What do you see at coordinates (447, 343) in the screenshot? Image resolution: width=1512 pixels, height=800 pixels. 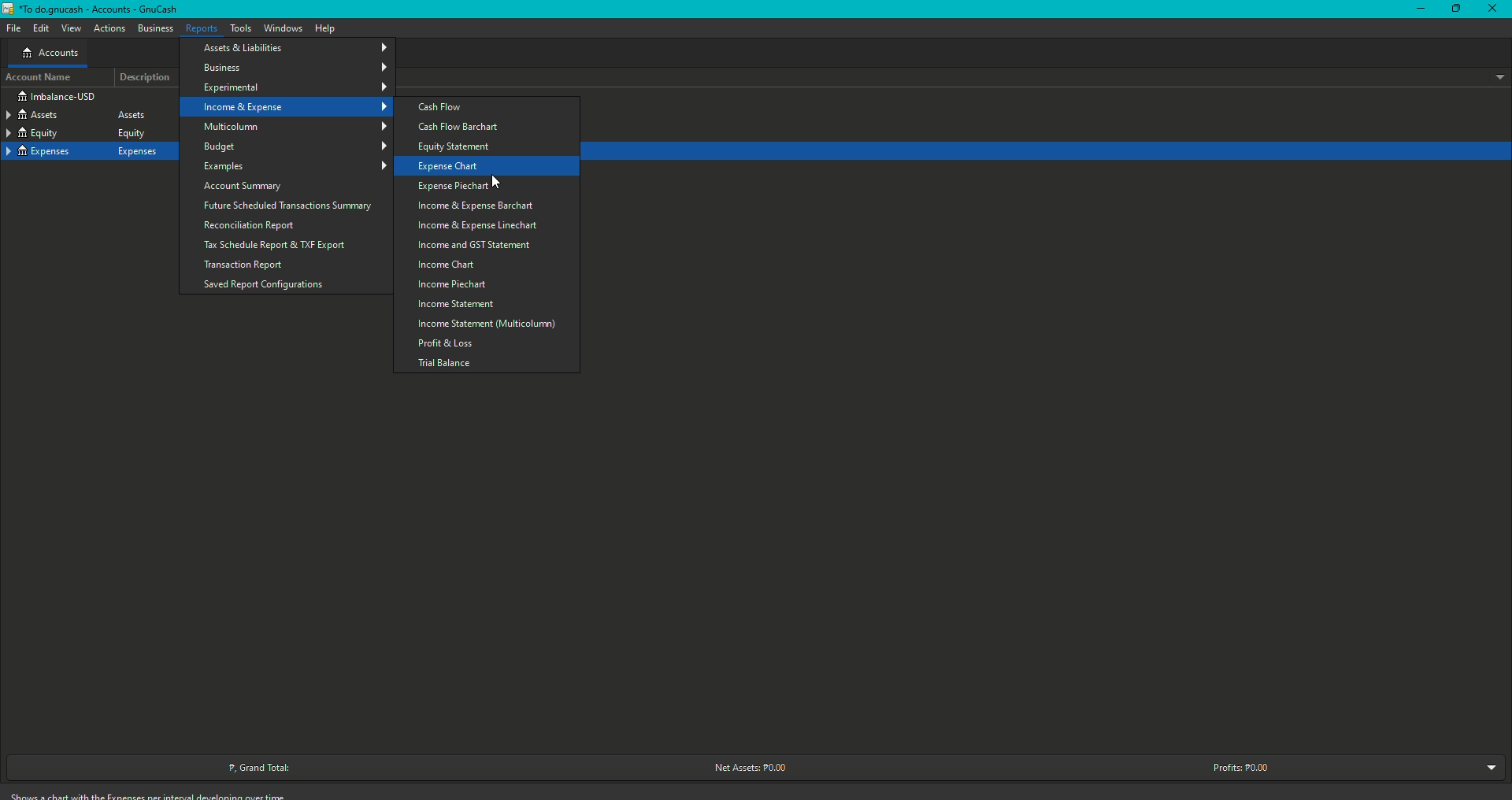 I see `Profit and Loss` at bounding box center [447, 343].